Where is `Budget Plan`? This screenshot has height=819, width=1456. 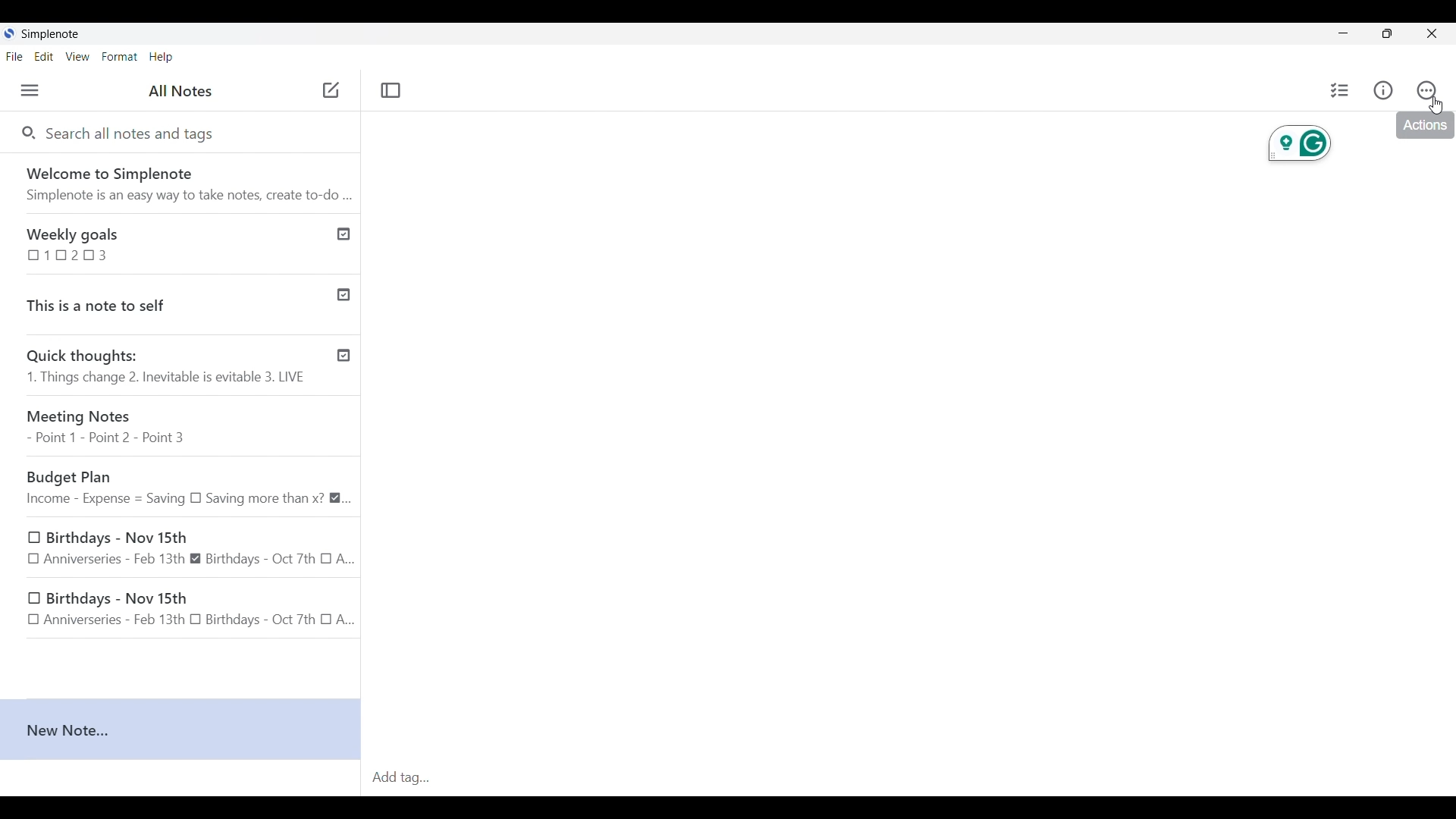 Budget Plan is located at coordinates (188, 488).